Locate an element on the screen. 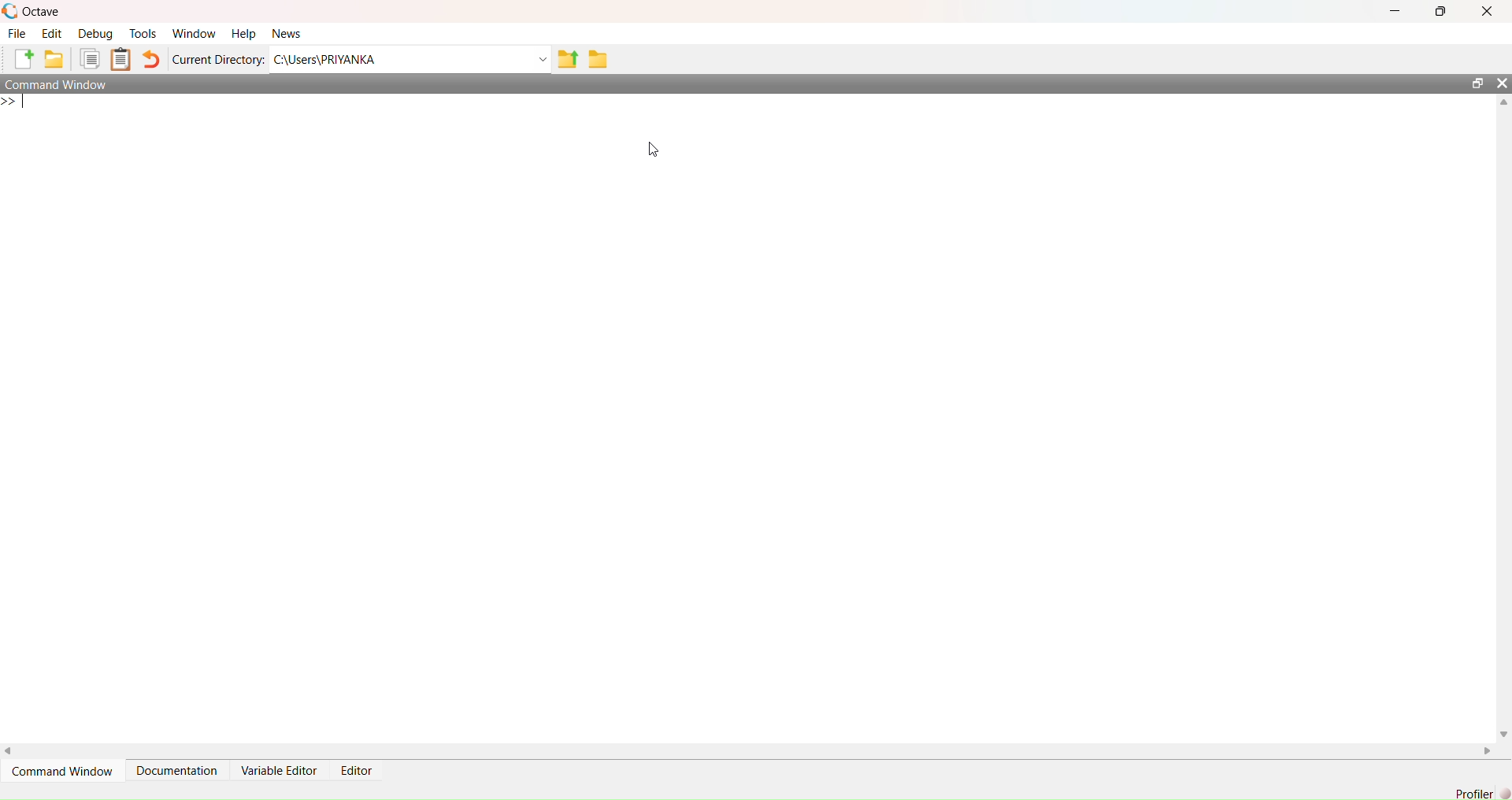  Documentation is located at coordinates (175, 770).